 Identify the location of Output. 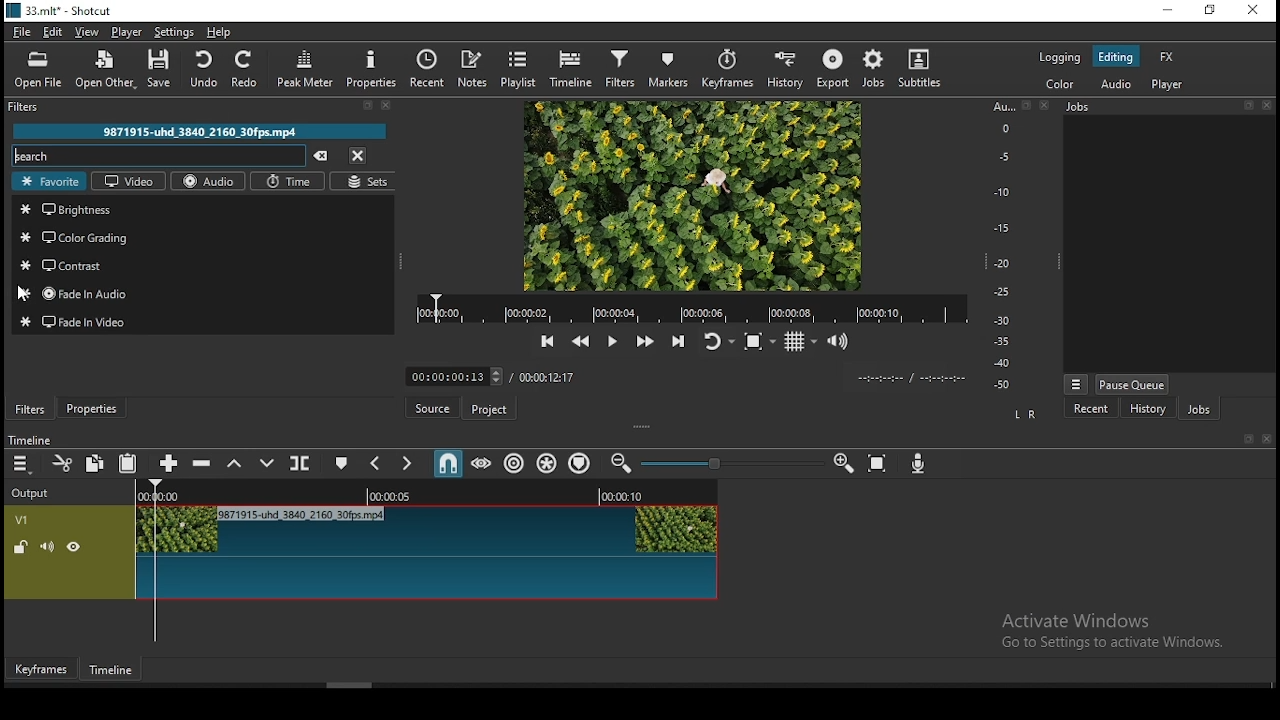
(30, 494).